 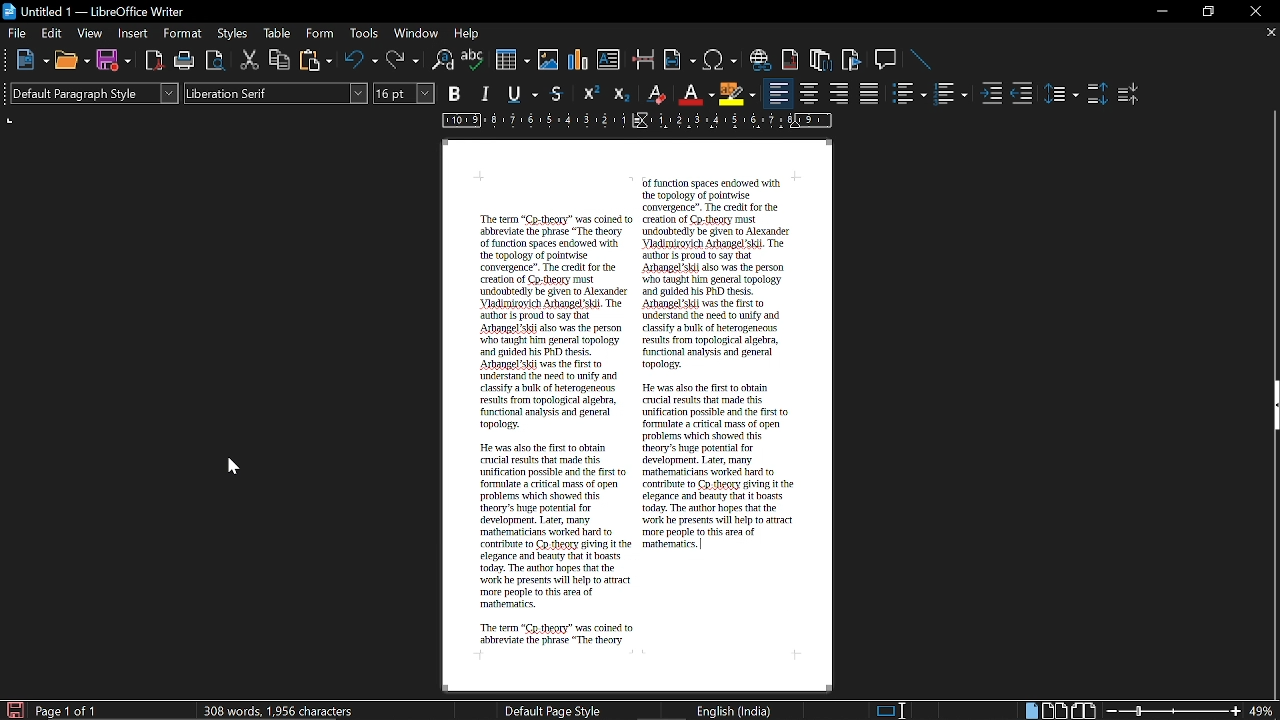 What do you see at coordinates (13, 710) in the screenshot?
I see `Save` at bounding box center [13, 710].